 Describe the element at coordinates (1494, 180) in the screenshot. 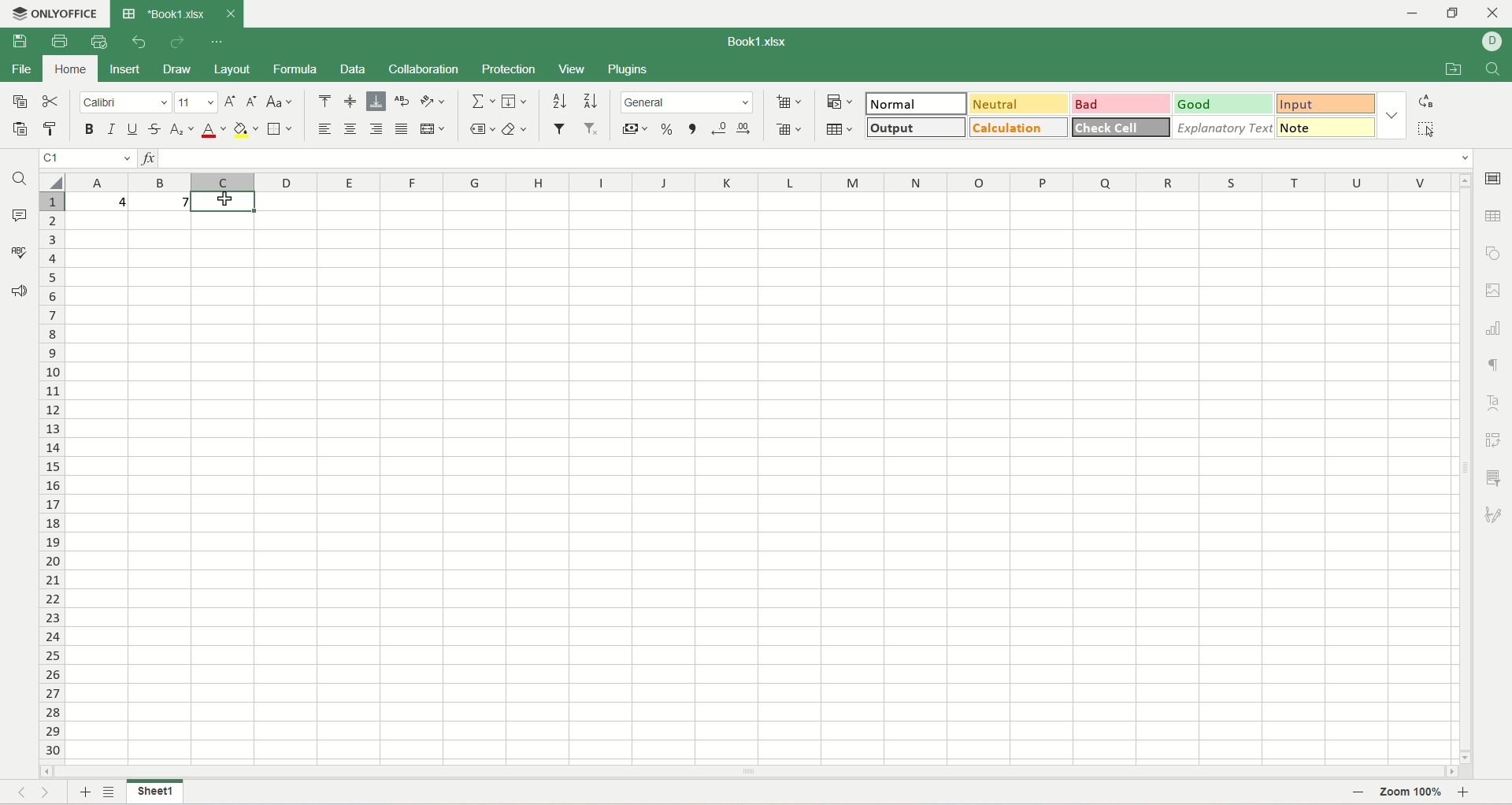

I see `cell settings` at that location.